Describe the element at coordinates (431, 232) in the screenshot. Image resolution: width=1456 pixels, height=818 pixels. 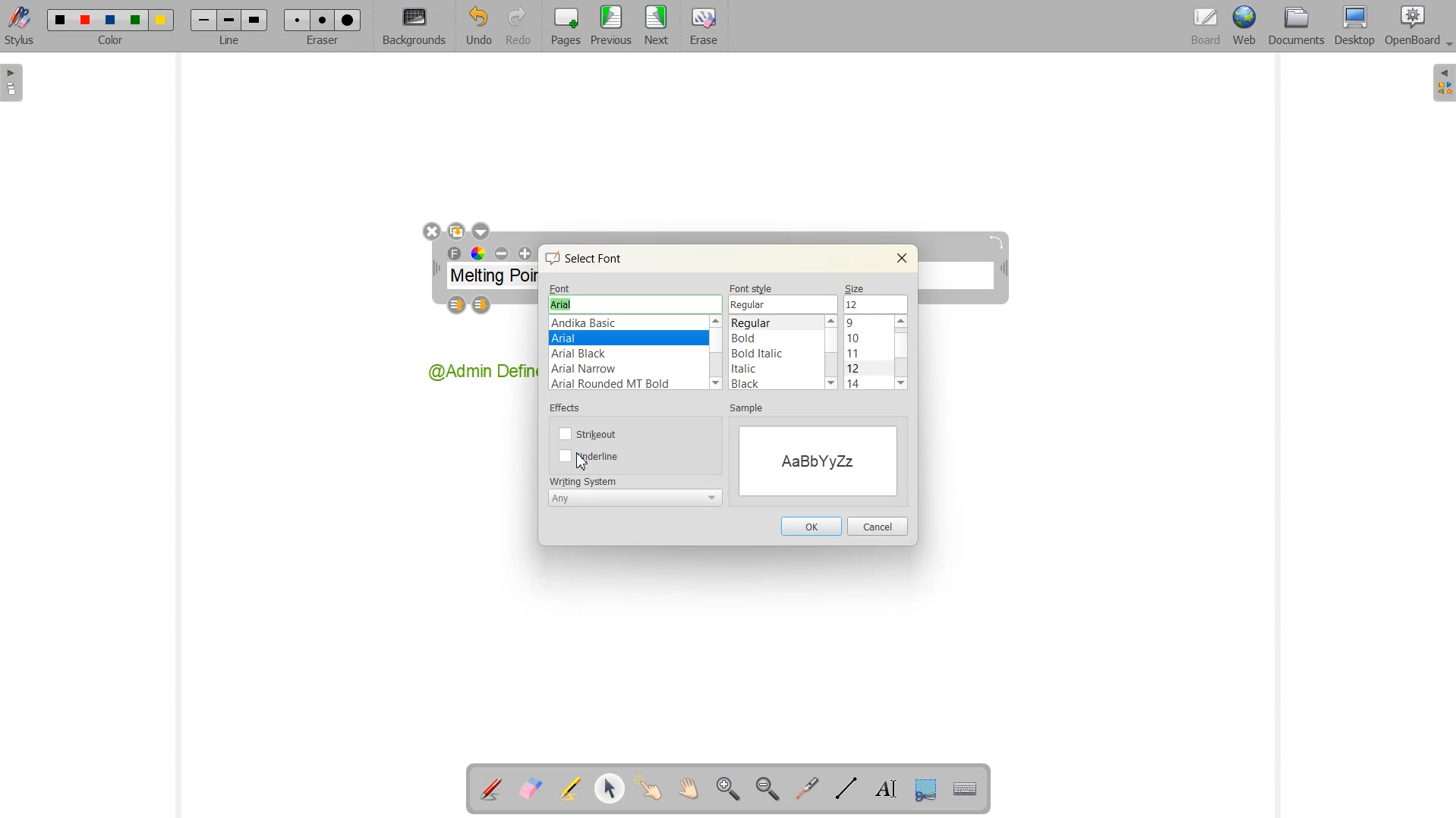
I see `Close` at that location.